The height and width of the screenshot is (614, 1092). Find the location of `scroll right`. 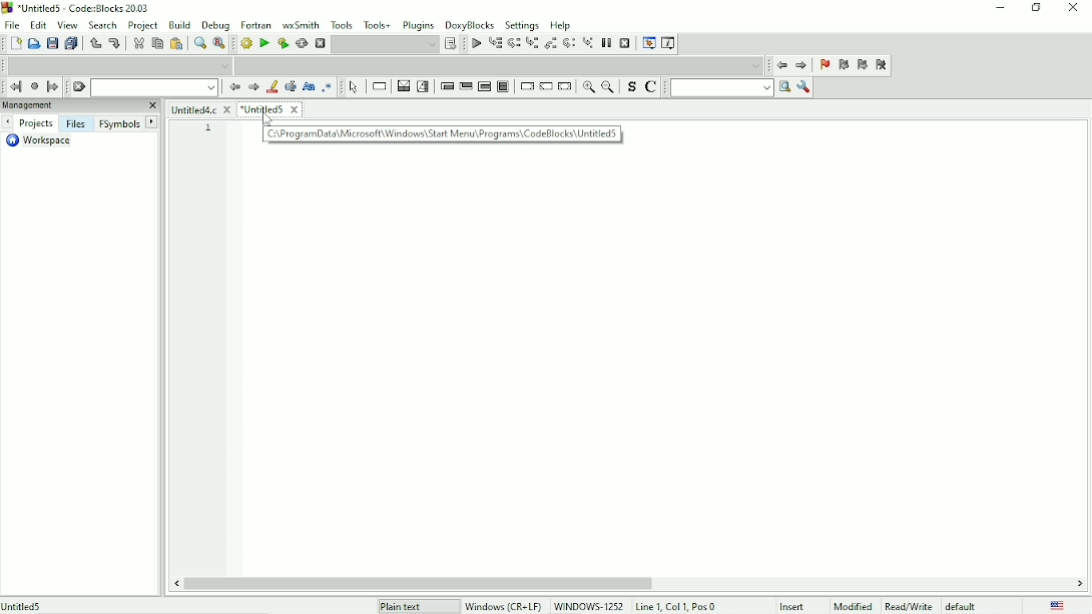

scroll right is located at coordinates (1079, 584).